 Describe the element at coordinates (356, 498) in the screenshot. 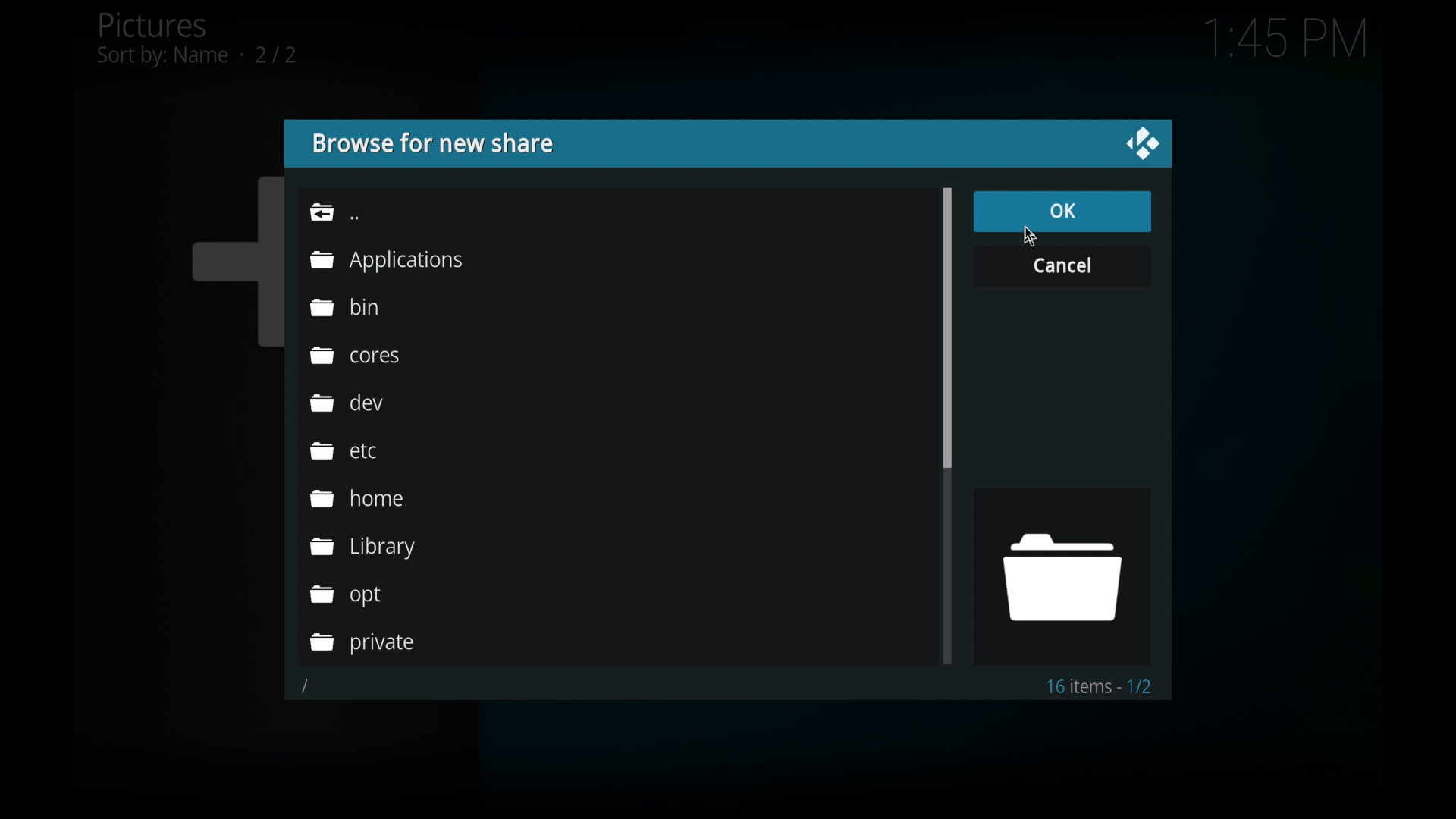

I see `home` at that location.